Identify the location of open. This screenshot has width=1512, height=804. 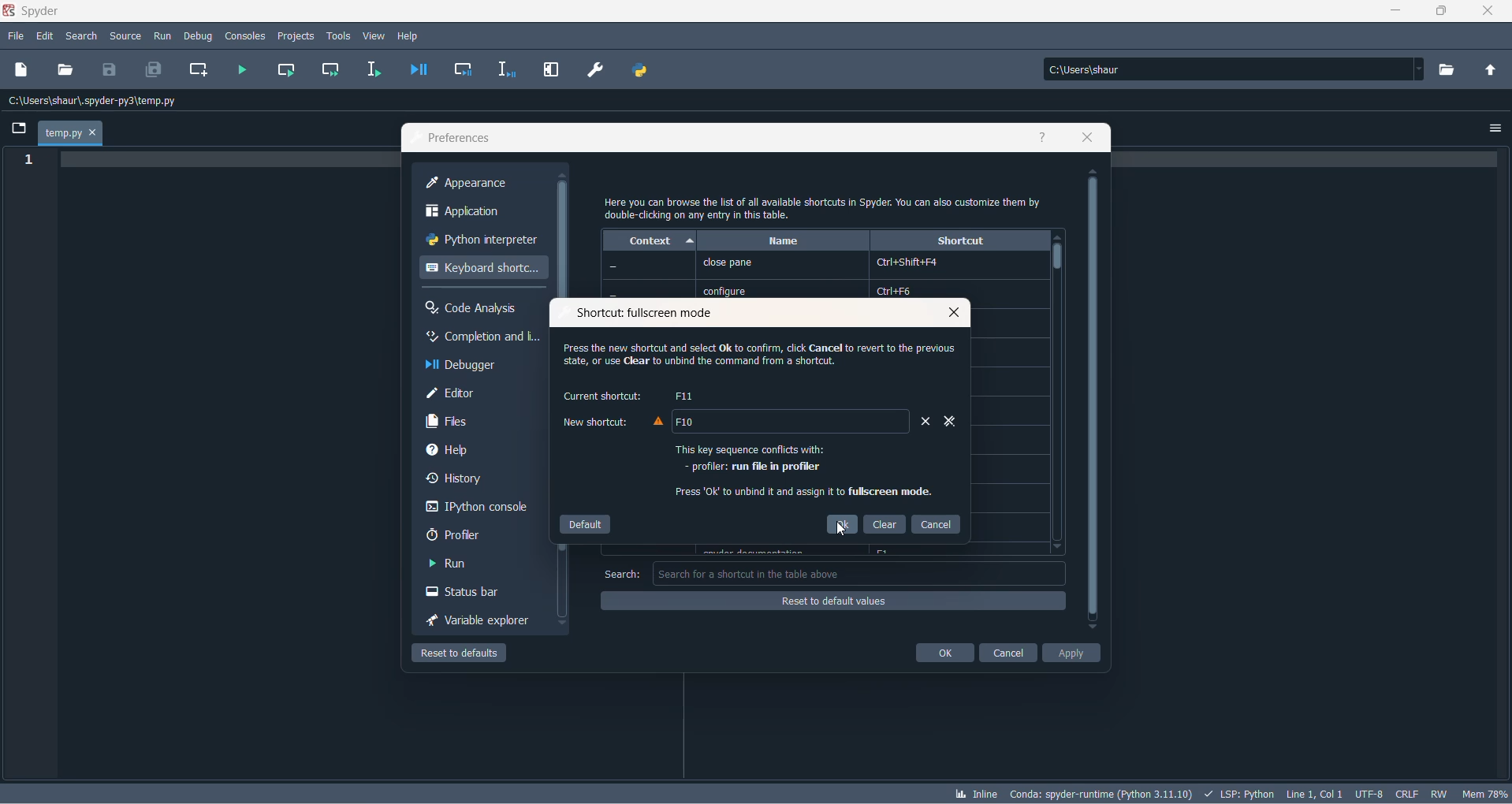
(65, 69).